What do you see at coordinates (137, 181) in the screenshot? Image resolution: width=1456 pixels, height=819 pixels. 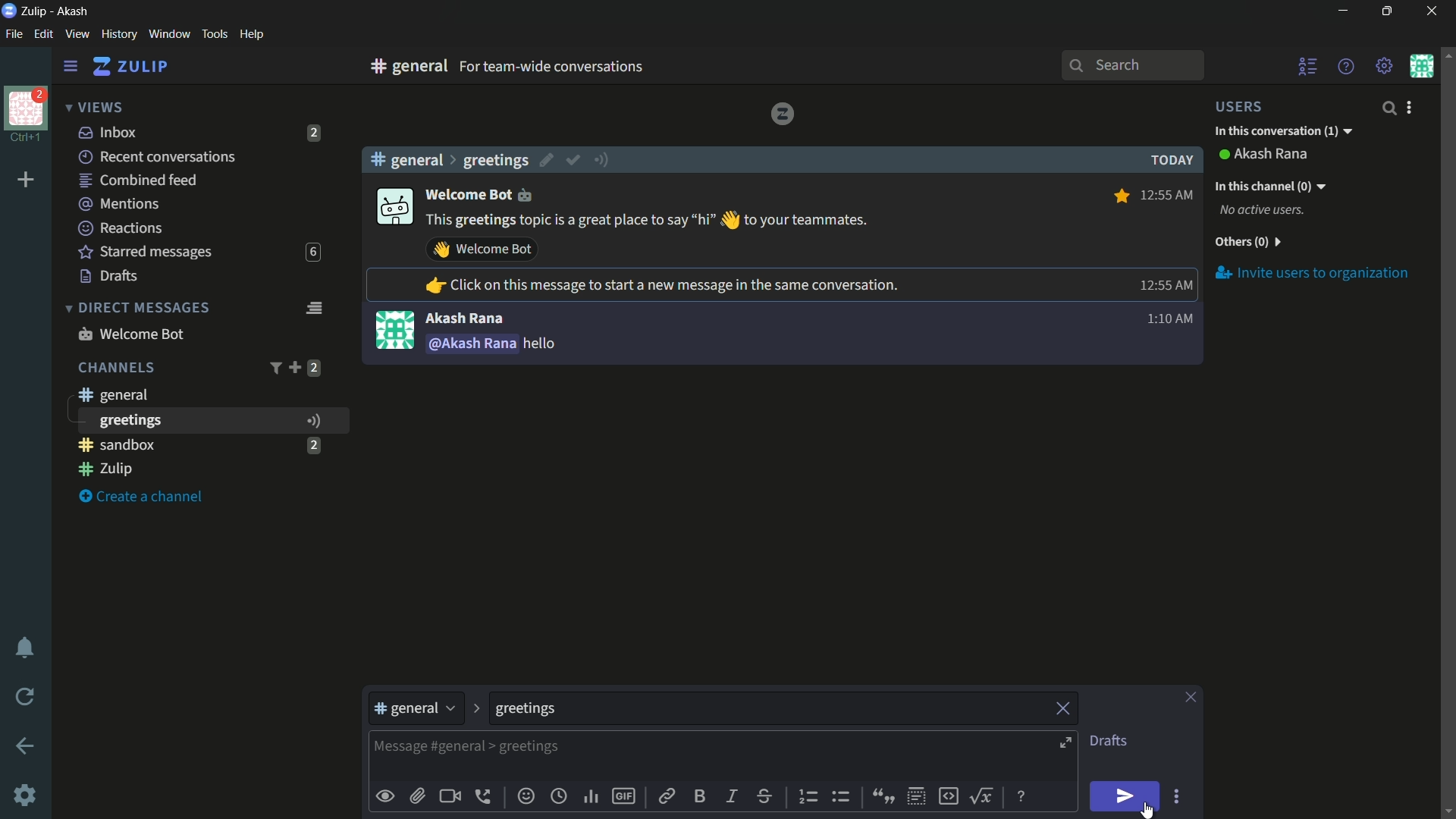 I see `combined feed` at bounding box center [137, 181].